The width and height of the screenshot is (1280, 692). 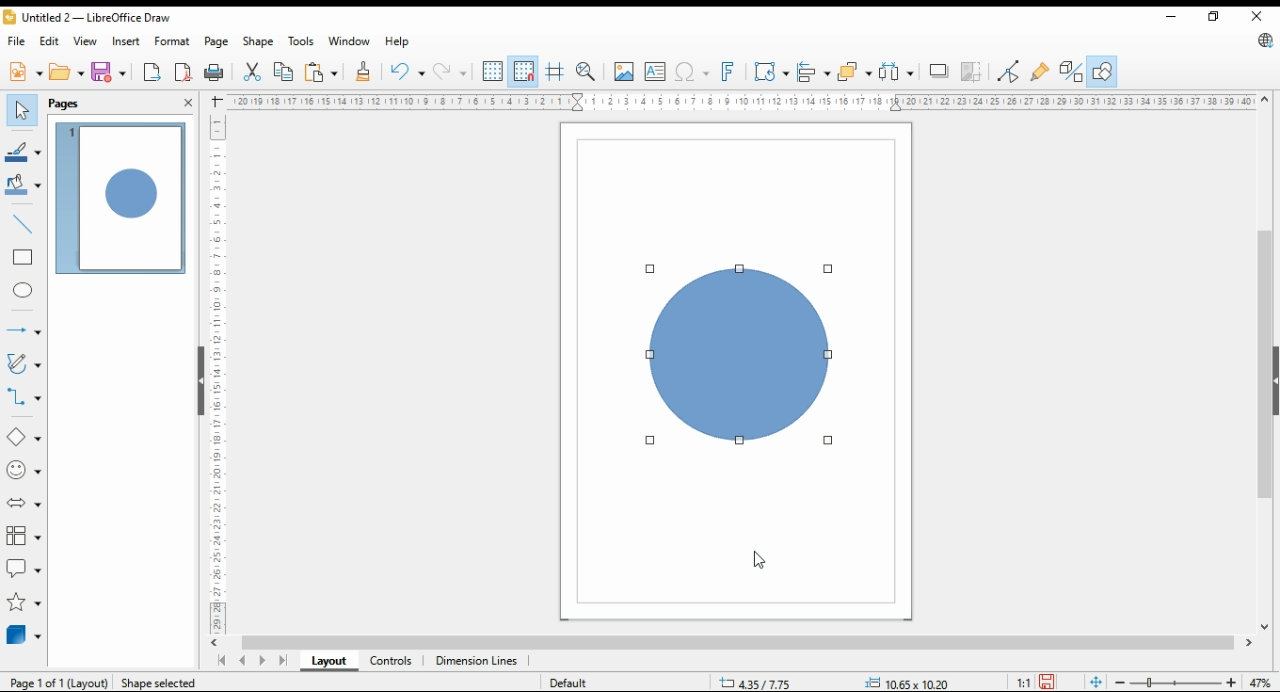 I want to click on copy, so click(x=284, y=72).